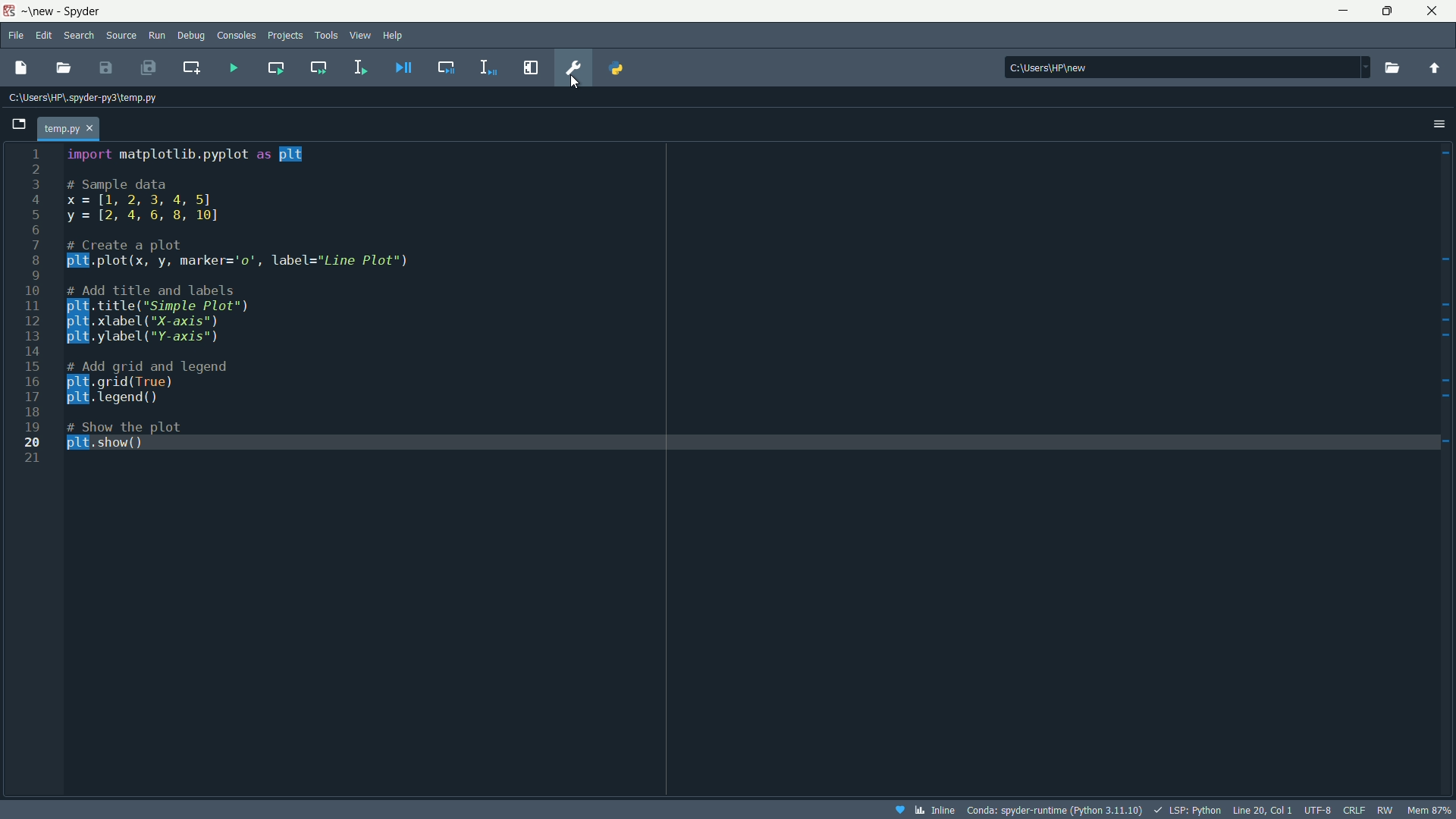 Image resolution: width=1456 pixels, height=819 pixels. What do you see at coordinates (319, 67) in the screenshot?
I see `run current cell and go to the next one` at bounding box center [319, 67].